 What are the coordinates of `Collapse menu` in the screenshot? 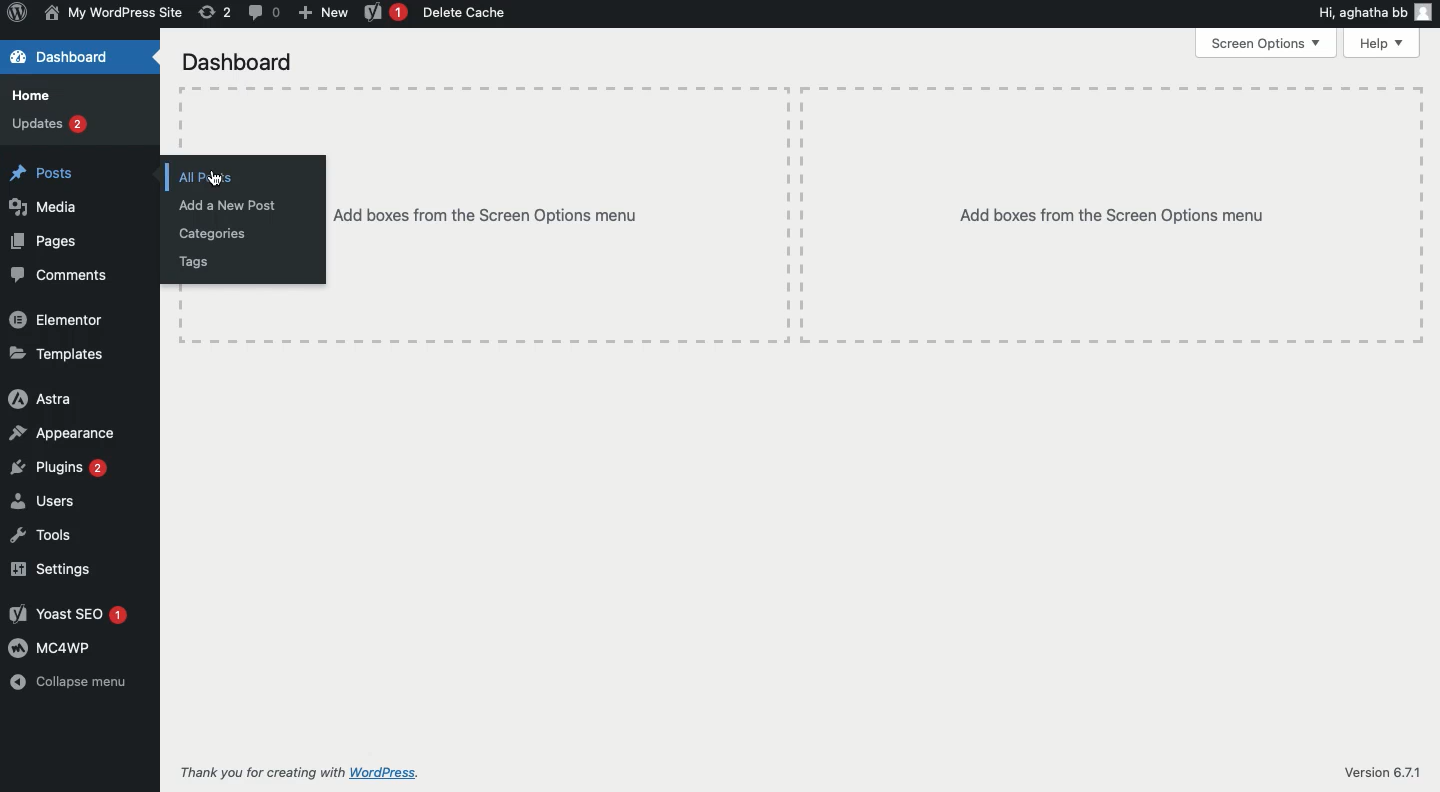 It's located at (71, 682).